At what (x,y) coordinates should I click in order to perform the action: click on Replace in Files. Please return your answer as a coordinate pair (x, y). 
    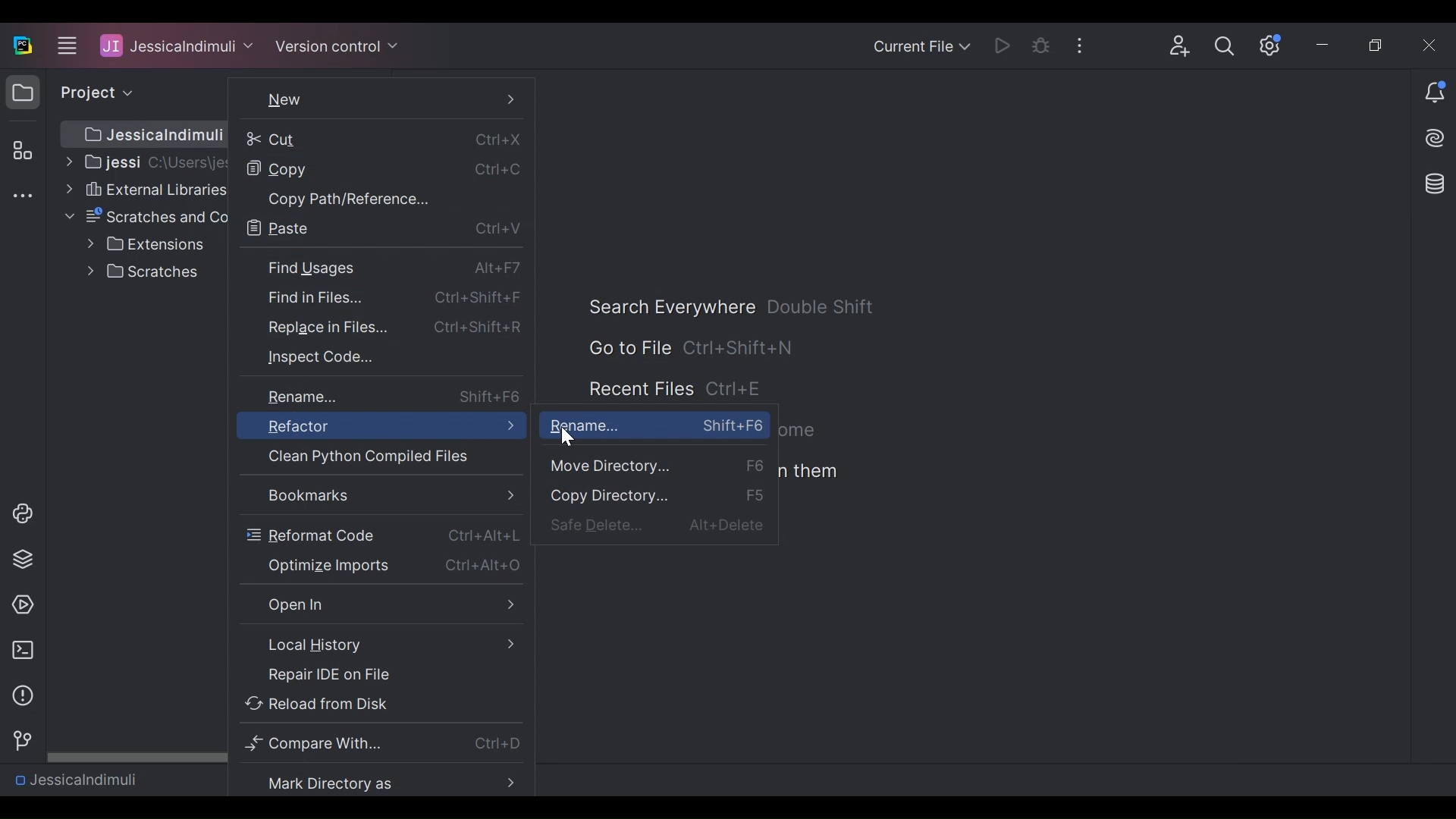
    Looking at the image, I should click on (379, 326).